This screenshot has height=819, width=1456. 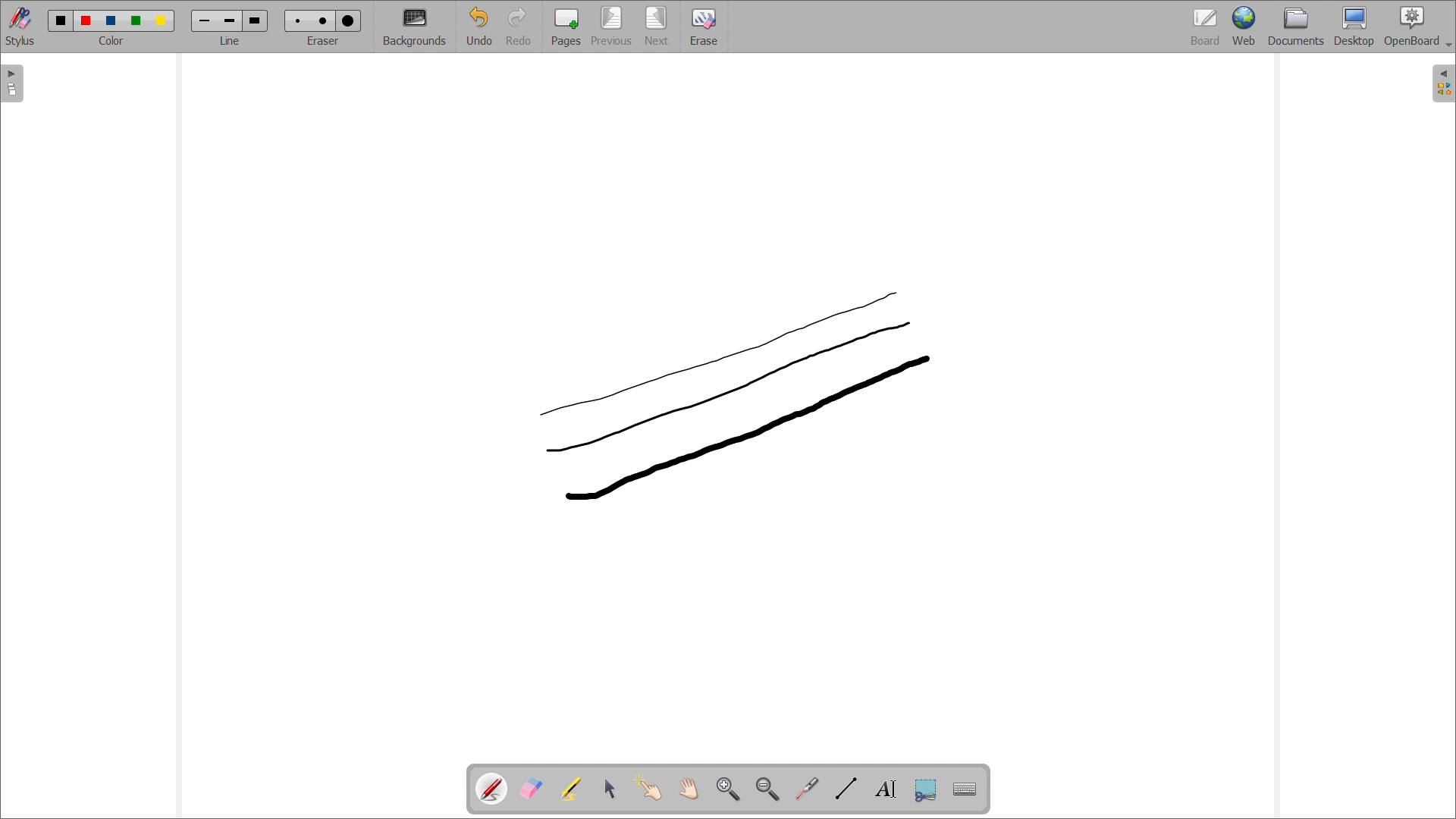 I want to click on color, so click(x=88, y=20).